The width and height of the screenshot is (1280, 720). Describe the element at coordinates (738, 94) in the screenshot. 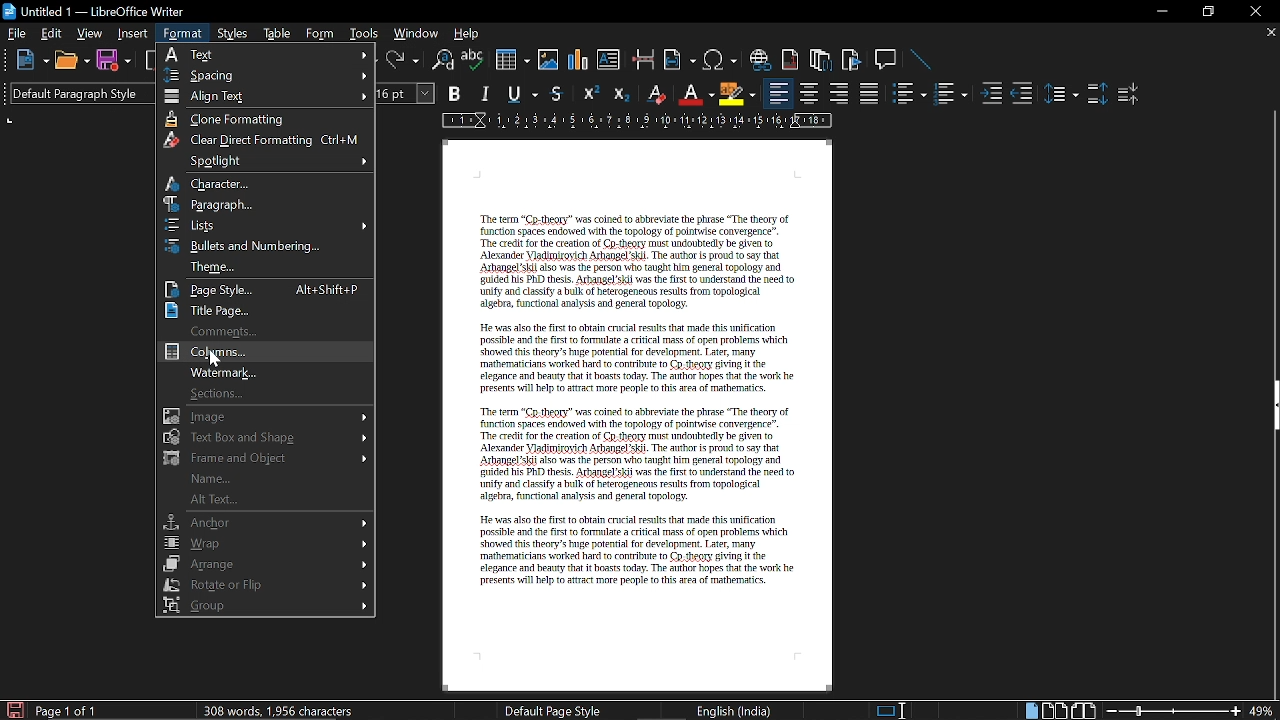

I see `Highlights` at that location.